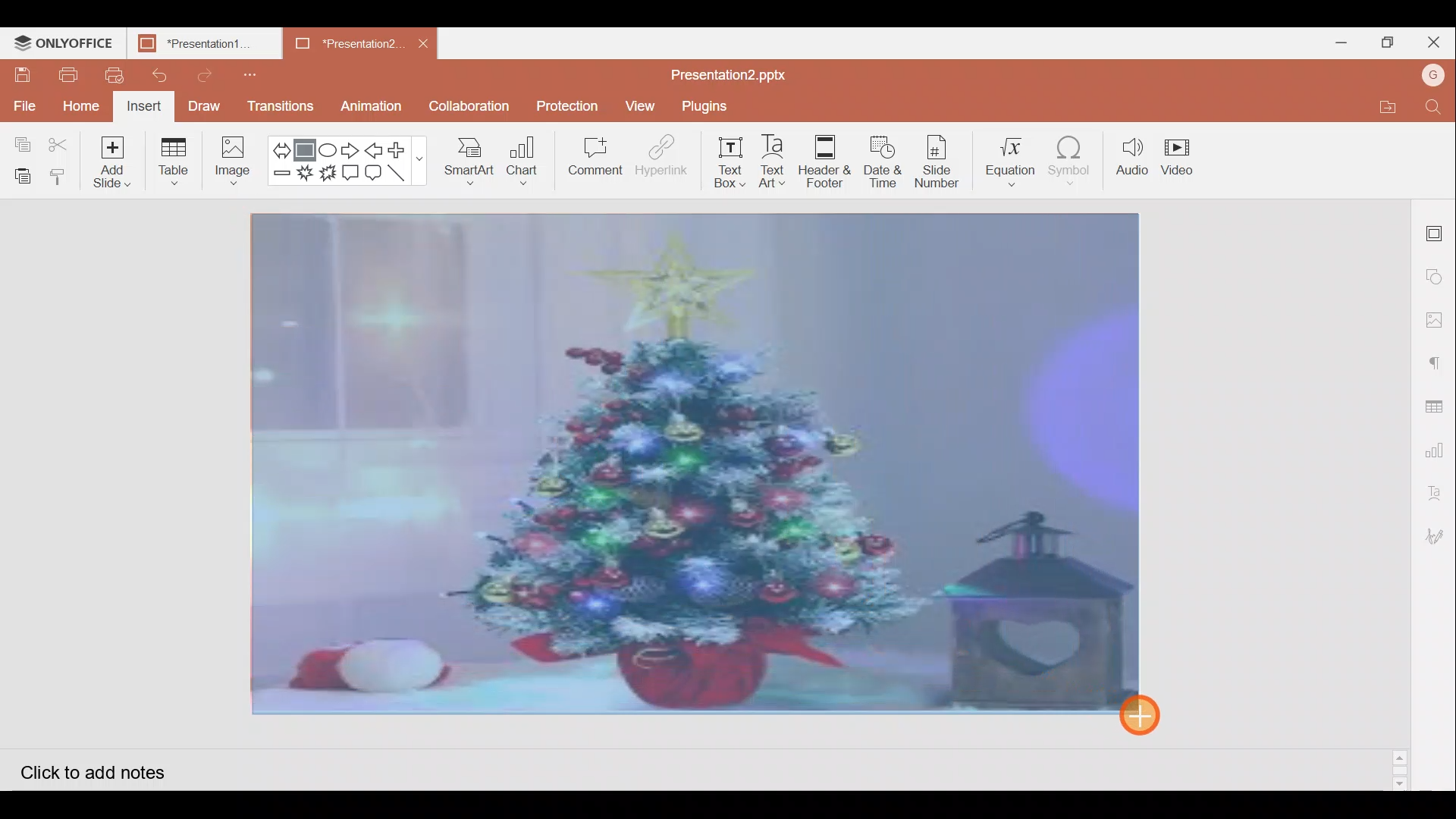 Image resolution: width=1456 pixels, height=819 pixels. Describe the element at coordinates (1438, 398) in the screenshot. I see `Table settings` at that location.